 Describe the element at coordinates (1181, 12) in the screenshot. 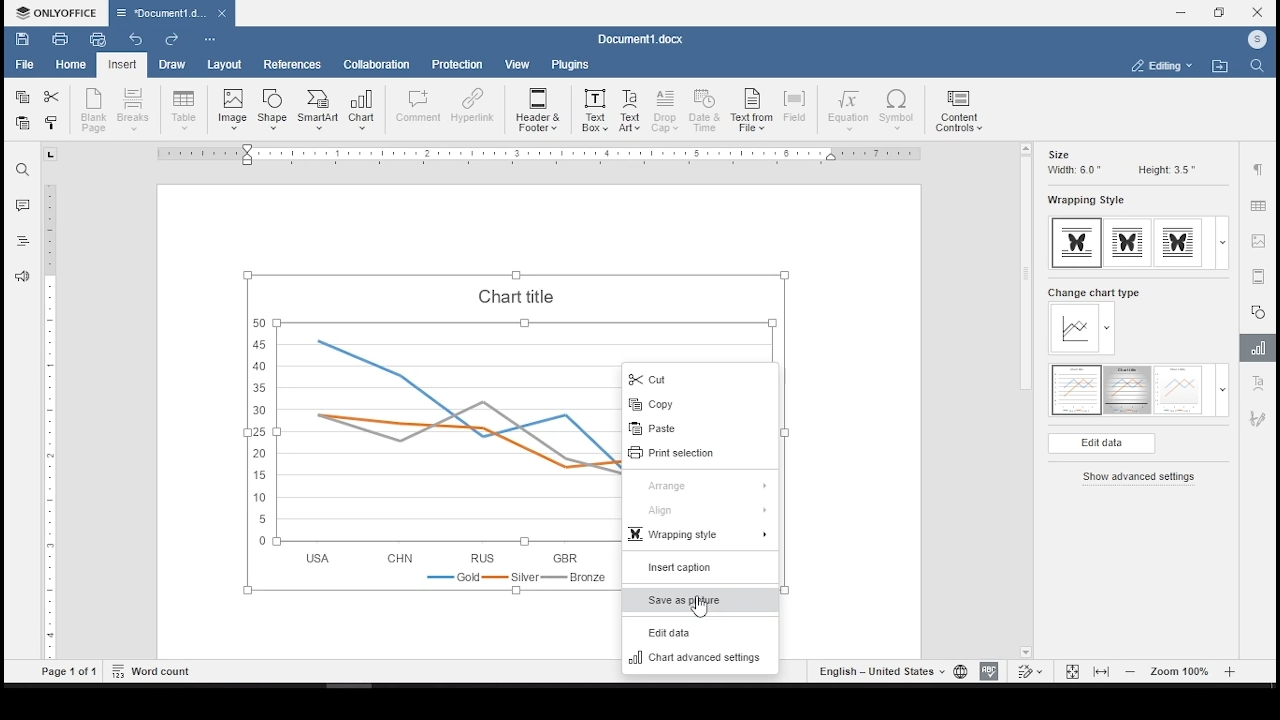

I see `minimize` at that location.